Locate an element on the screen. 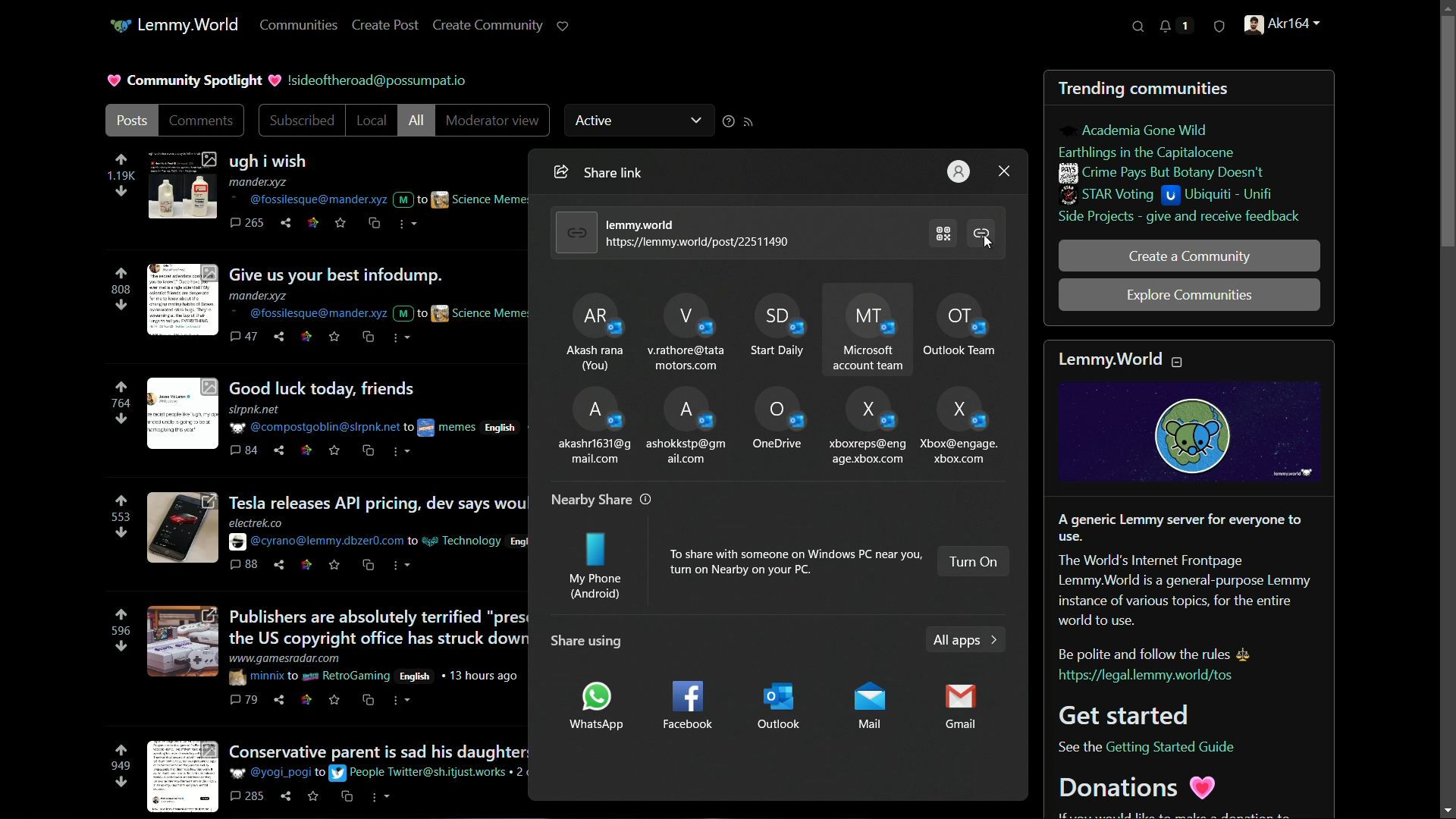 This screenshot has height=819, width=1456. www.gamesradar.com is located at coordinates (287, 658).